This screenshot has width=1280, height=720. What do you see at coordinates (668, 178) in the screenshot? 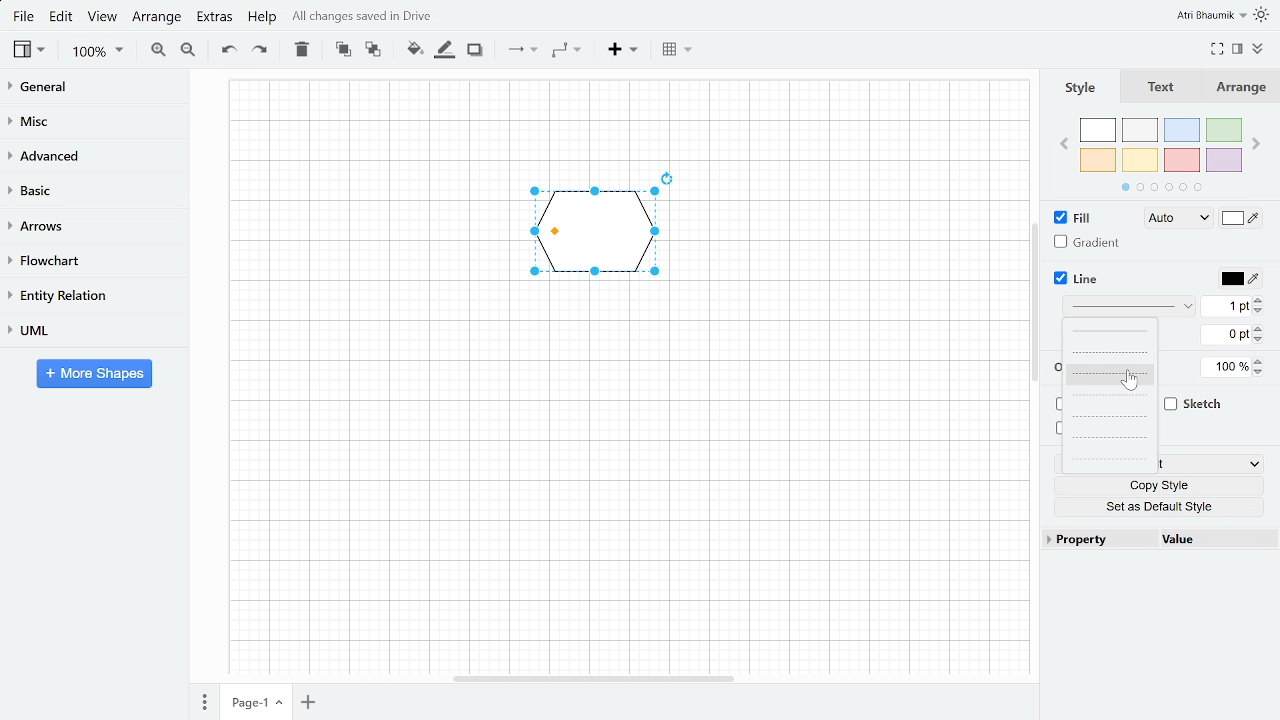
I see `Rotate` at bounding box center [668, 178].